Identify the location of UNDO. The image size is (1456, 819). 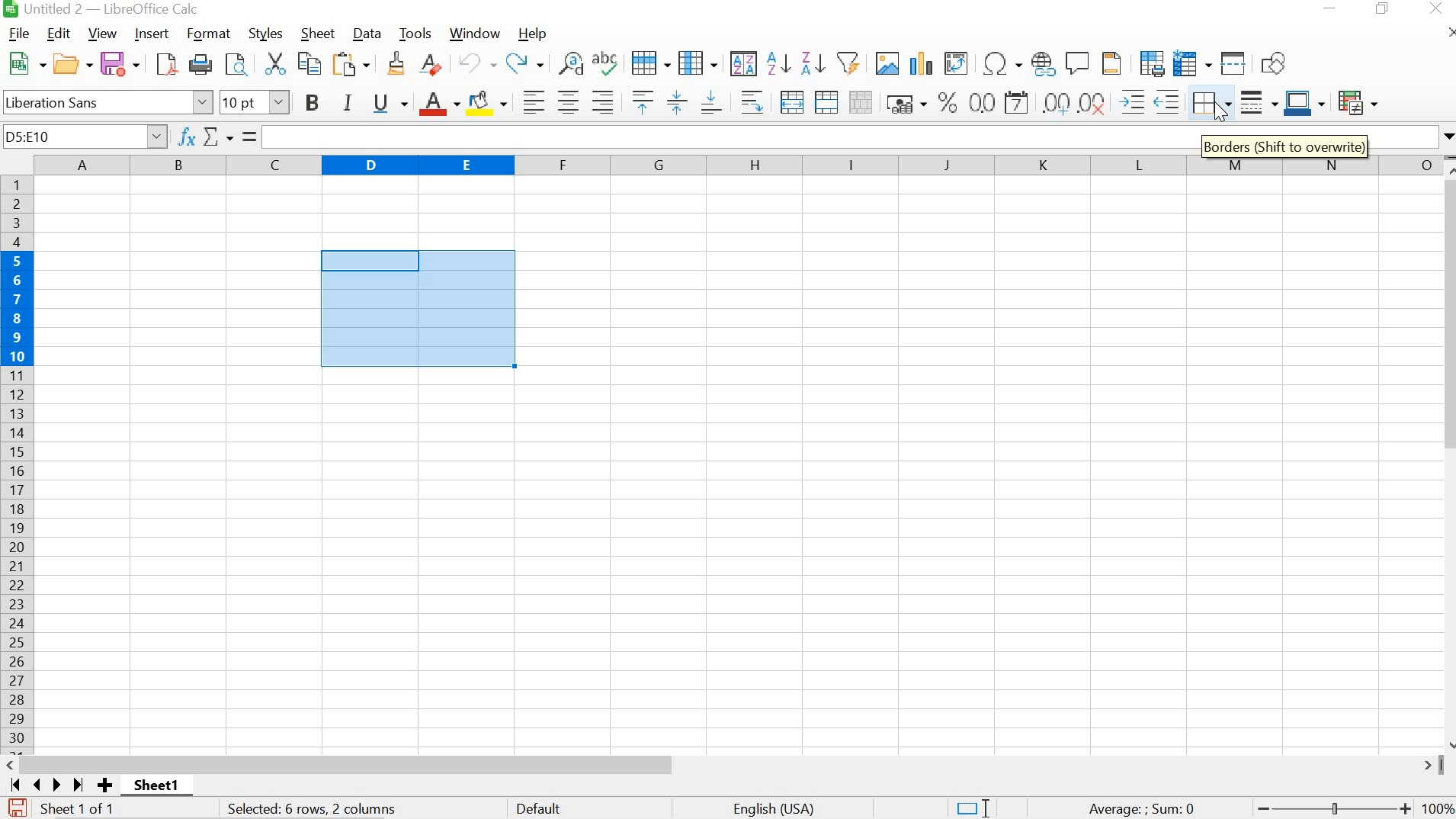
(476, 63).